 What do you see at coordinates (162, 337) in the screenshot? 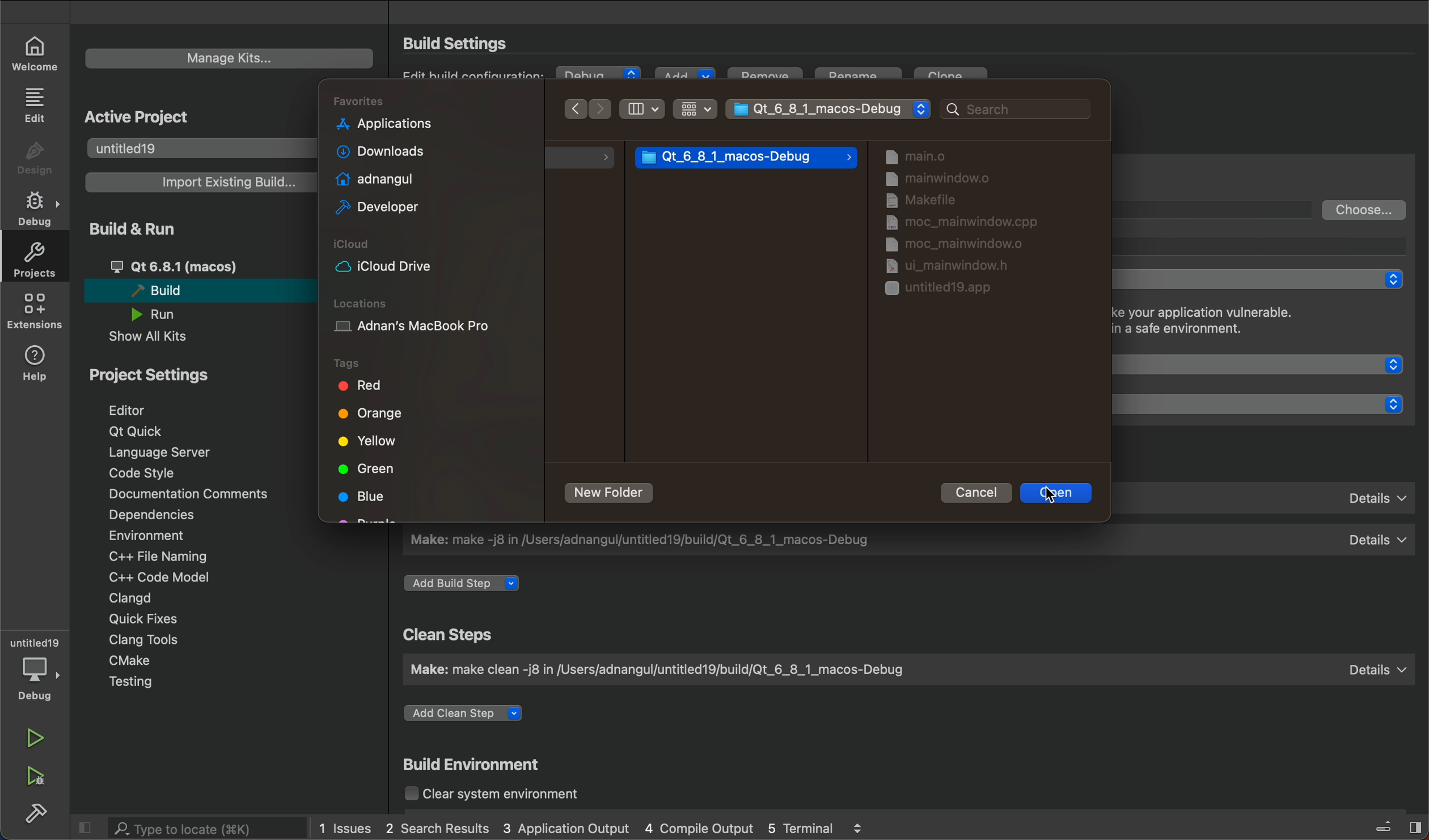
I see `show all kits` at bounding box center [162, 337].